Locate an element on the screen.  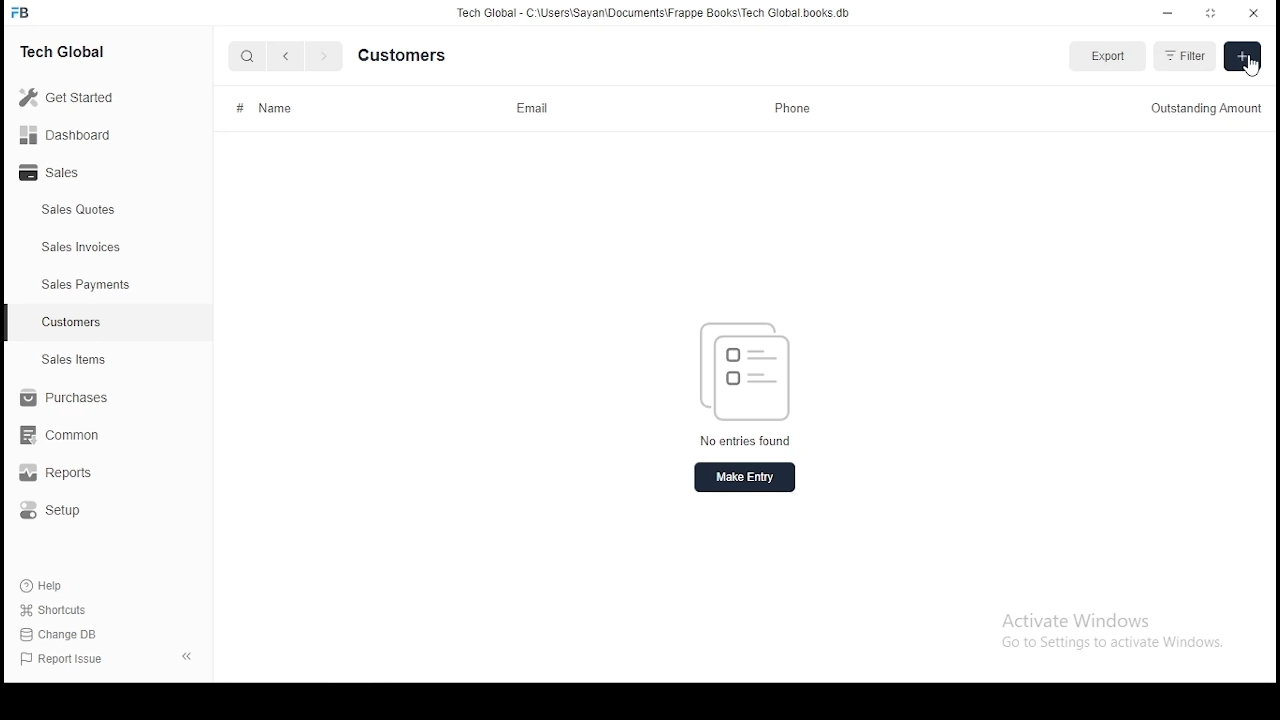
close pane is located at coordinates (189, 656).